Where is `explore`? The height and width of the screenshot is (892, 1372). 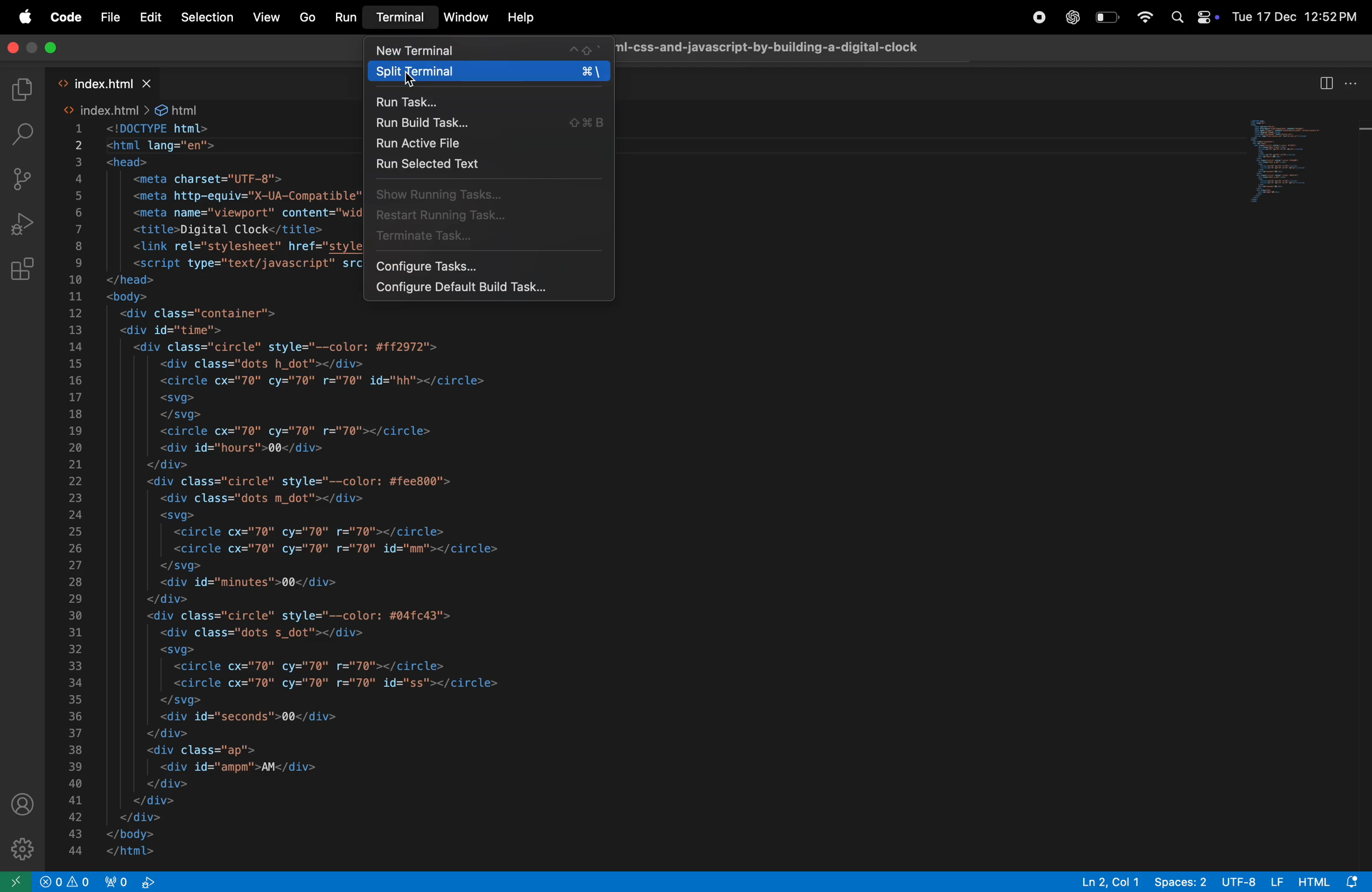 explore is located at coordinates (24, 89).